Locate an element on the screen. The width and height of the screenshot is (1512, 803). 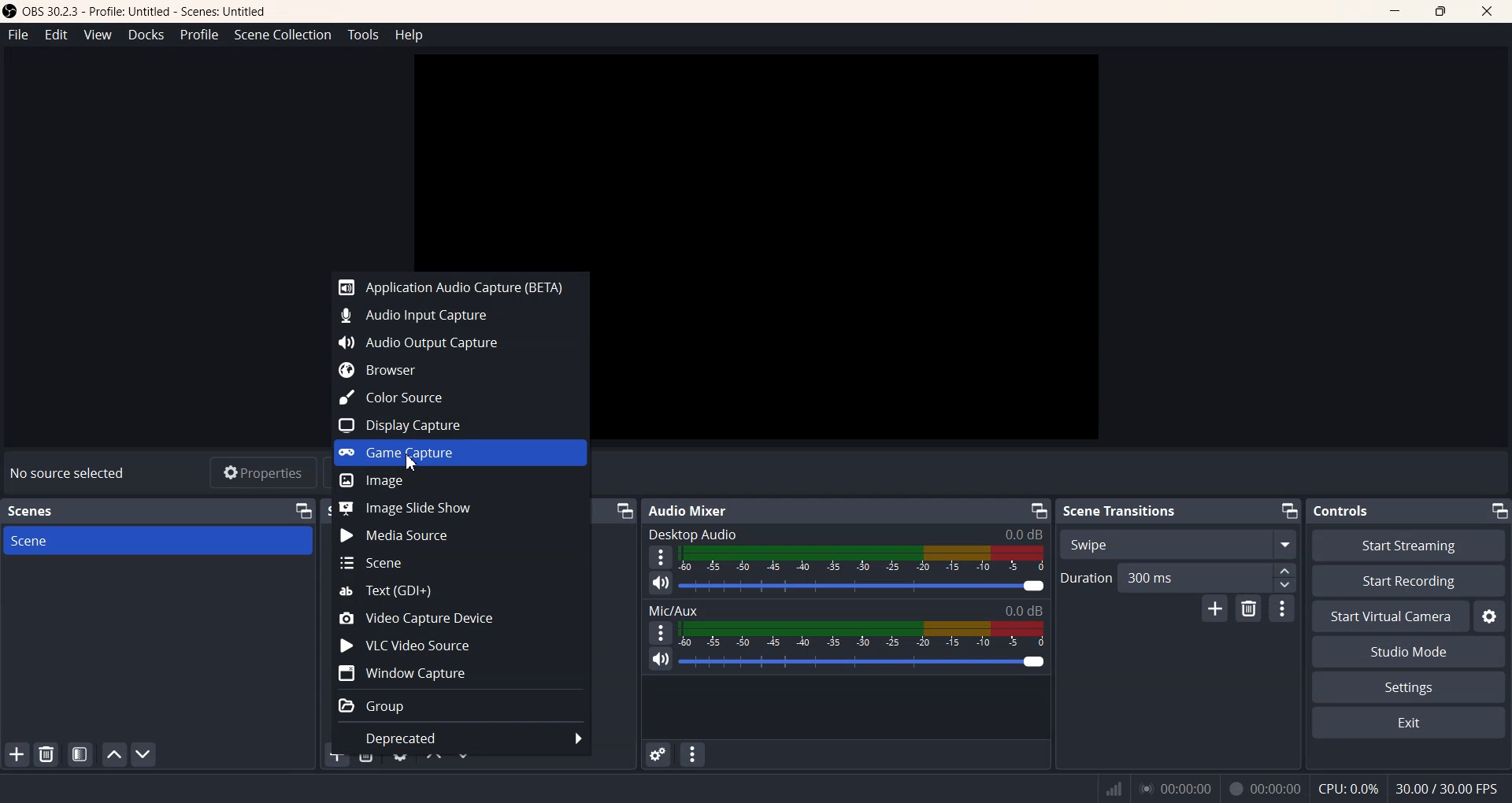
Group is located at coordinates (461, 706).